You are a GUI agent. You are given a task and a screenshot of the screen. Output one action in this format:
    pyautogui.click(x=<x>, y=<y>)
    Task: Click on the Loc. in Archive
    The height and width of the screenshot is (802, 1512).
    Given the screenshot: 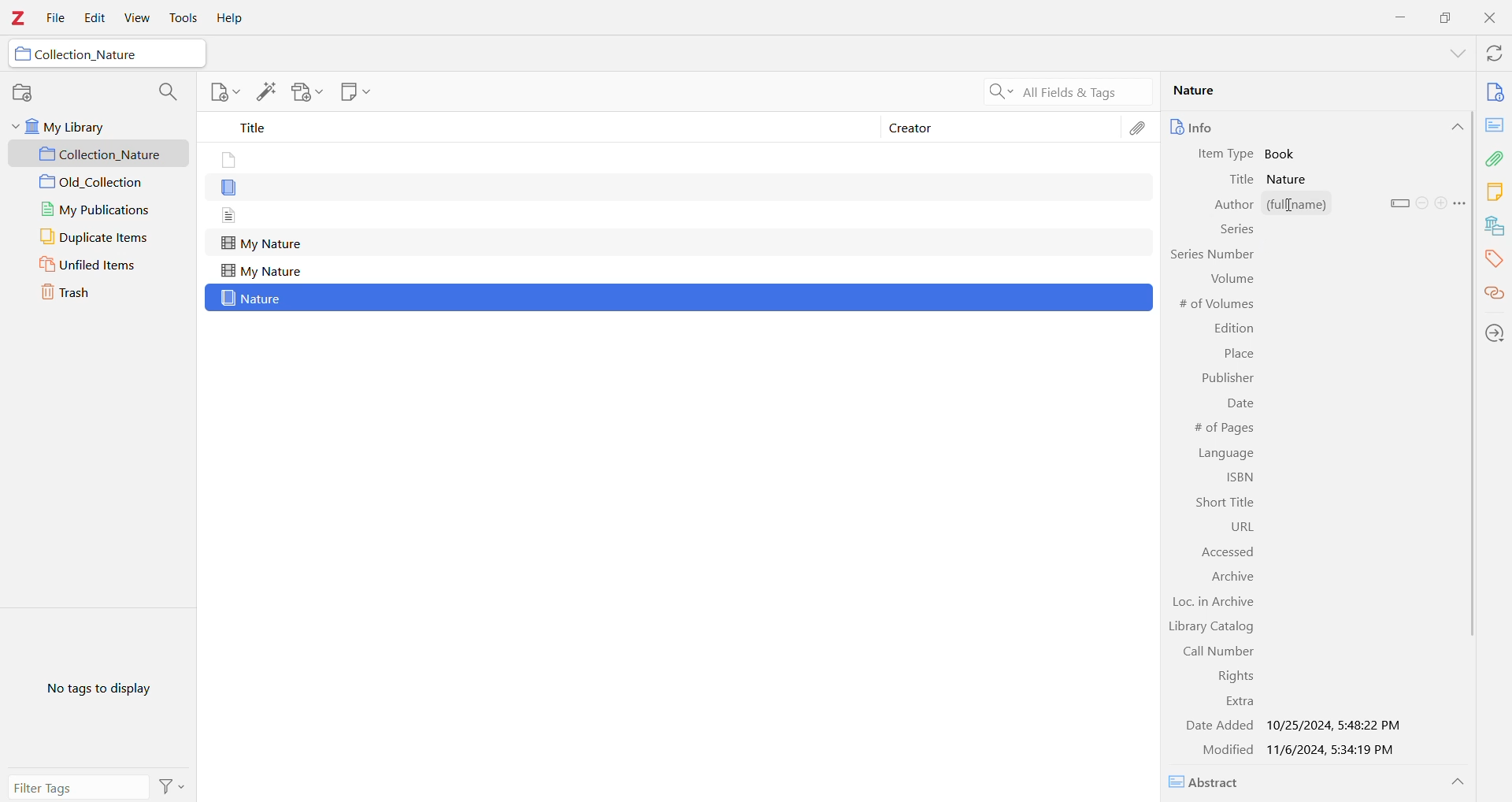 What is the action you would take?
    pyautogui.click(x=1216, y=603)
    